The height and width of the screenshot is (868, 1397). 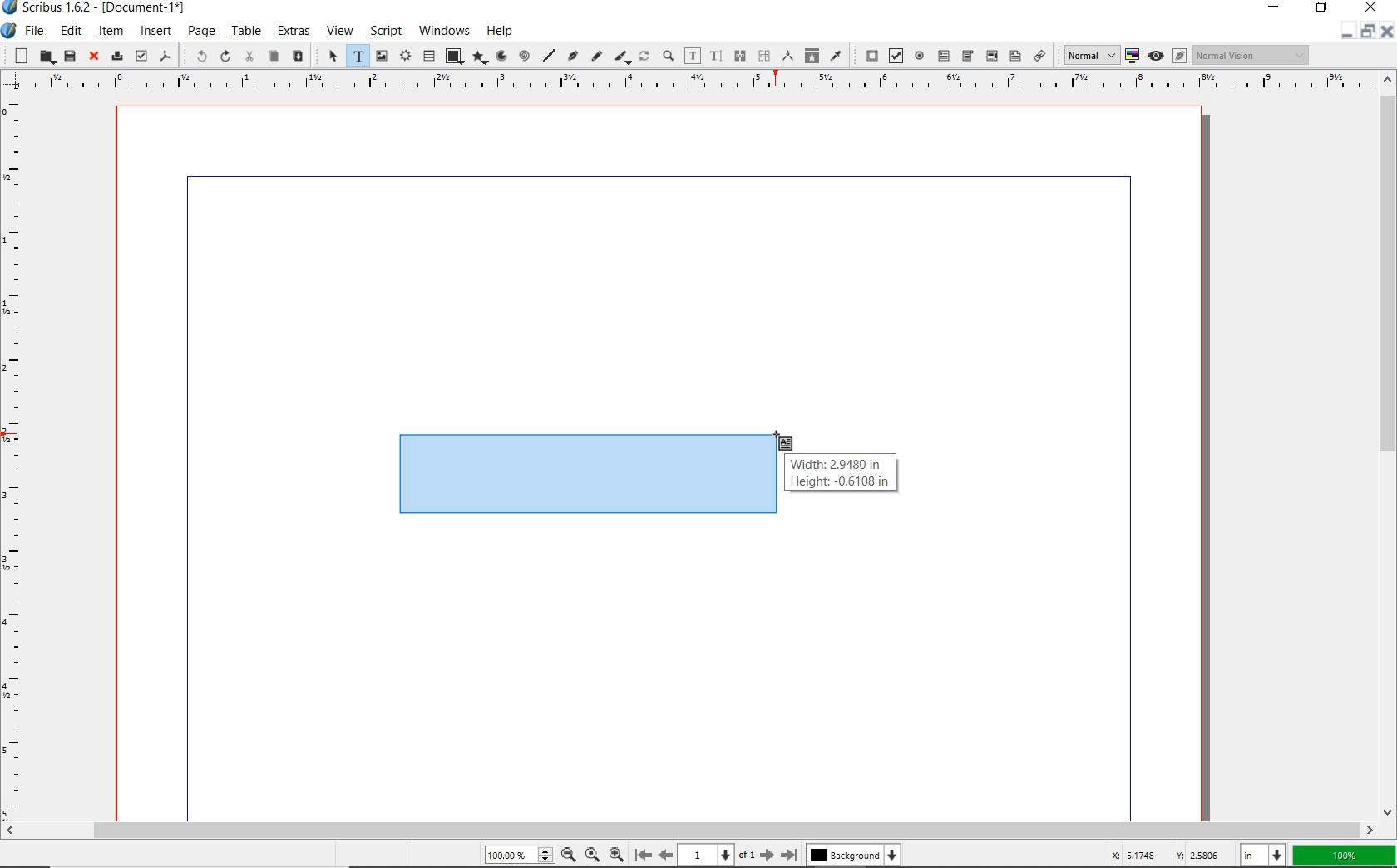 What do you see at coordinates (35, 32) in the screenshot?
I see `file` at bounding box center [35, 32].